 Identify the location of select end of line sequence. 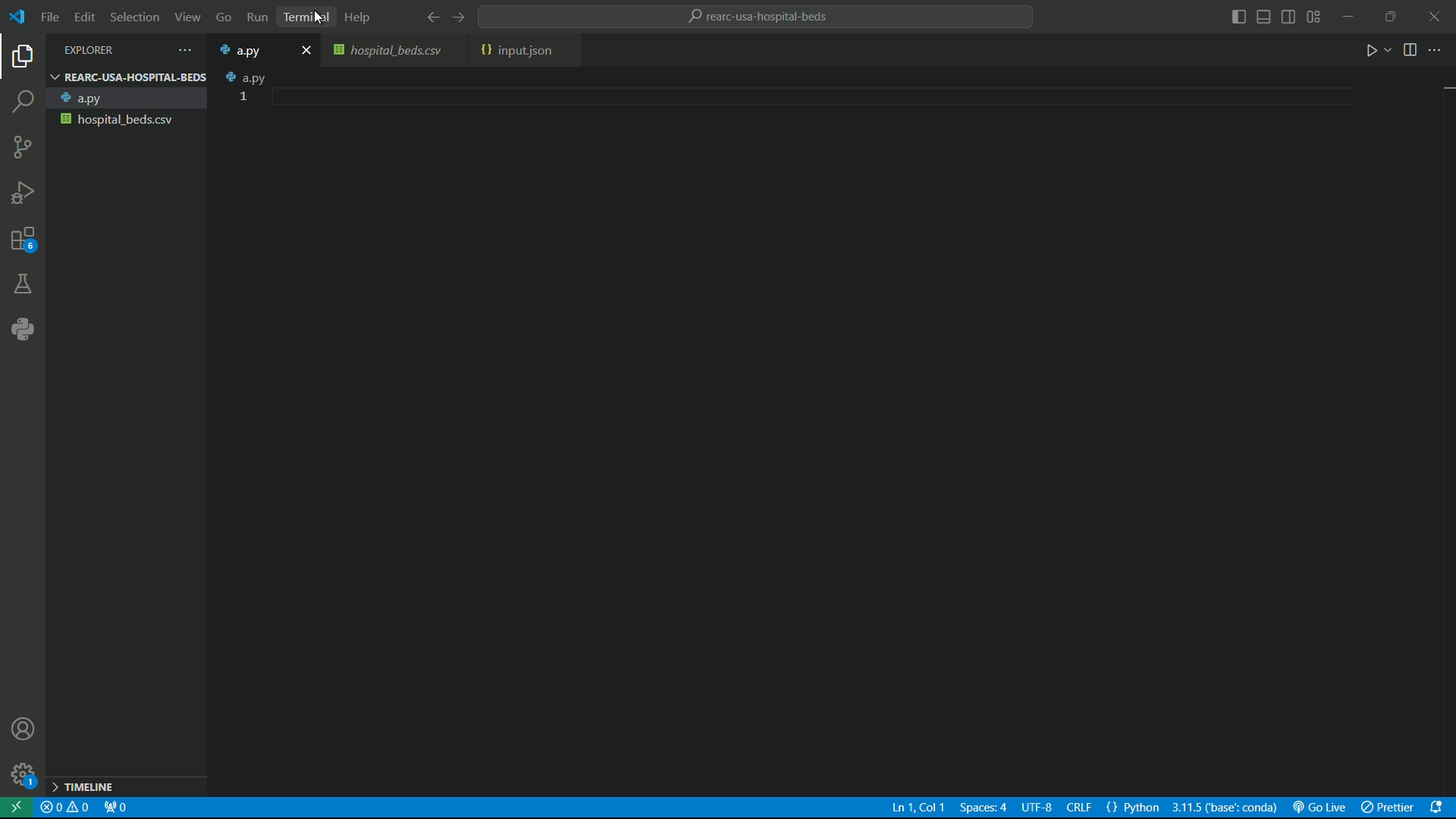
(1079, 809).